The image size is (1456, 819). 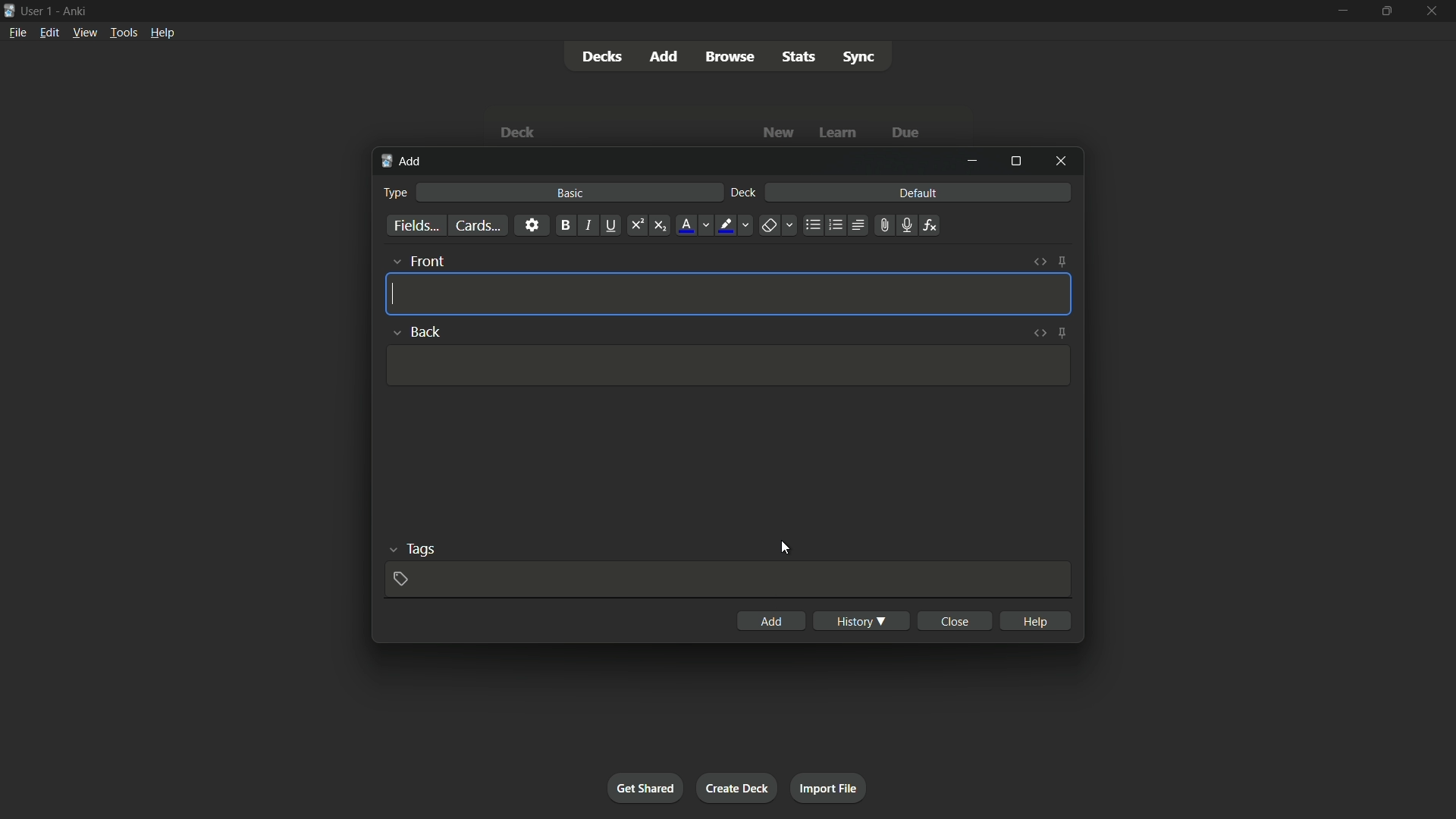 What do you see at coordinates (396, 193) in the screenshot?
I see `type` at bounding box center [396, 193].